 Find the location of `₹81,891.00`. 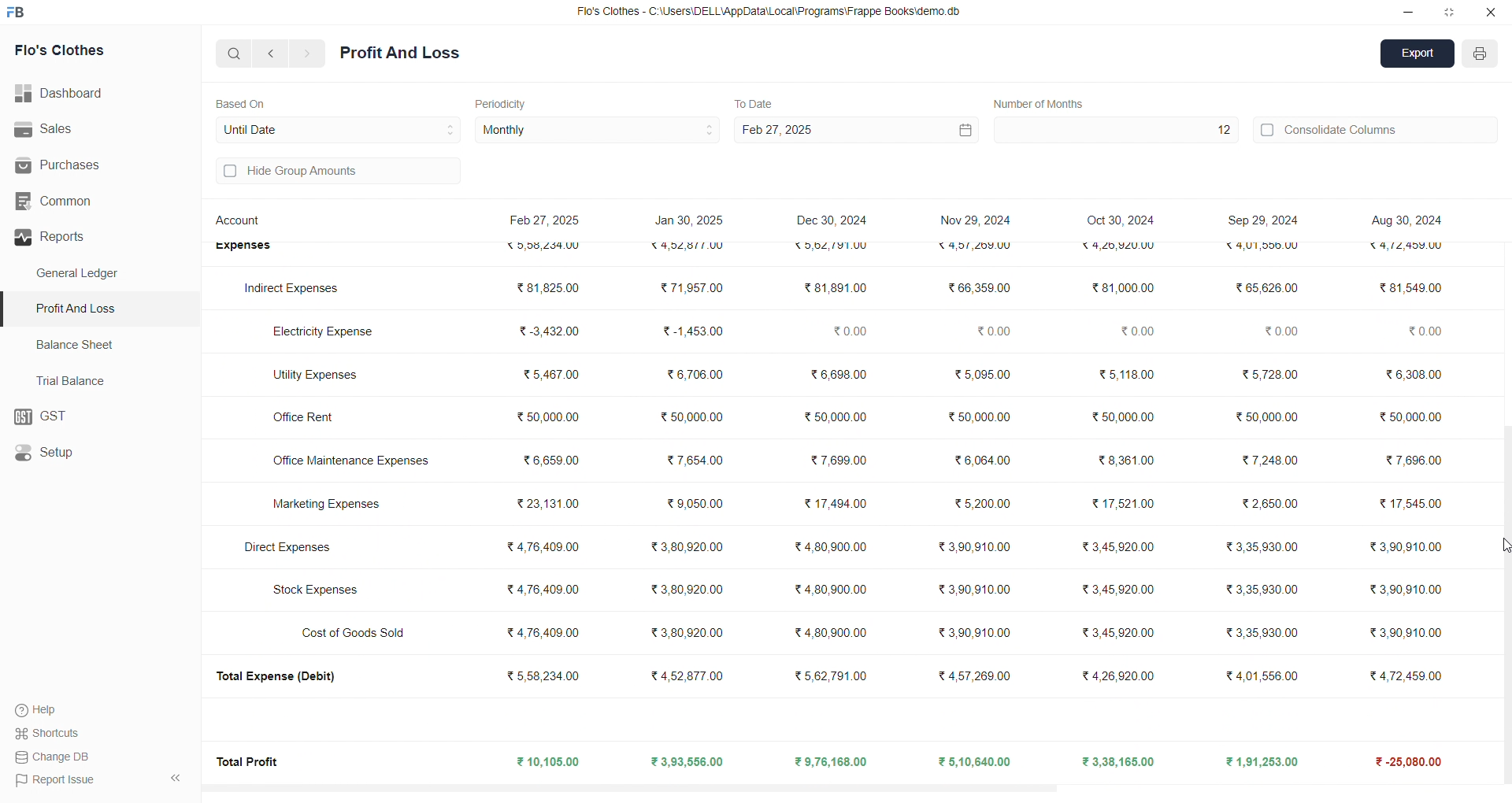

₹81,891.00 is located at coordinates (833, 288).